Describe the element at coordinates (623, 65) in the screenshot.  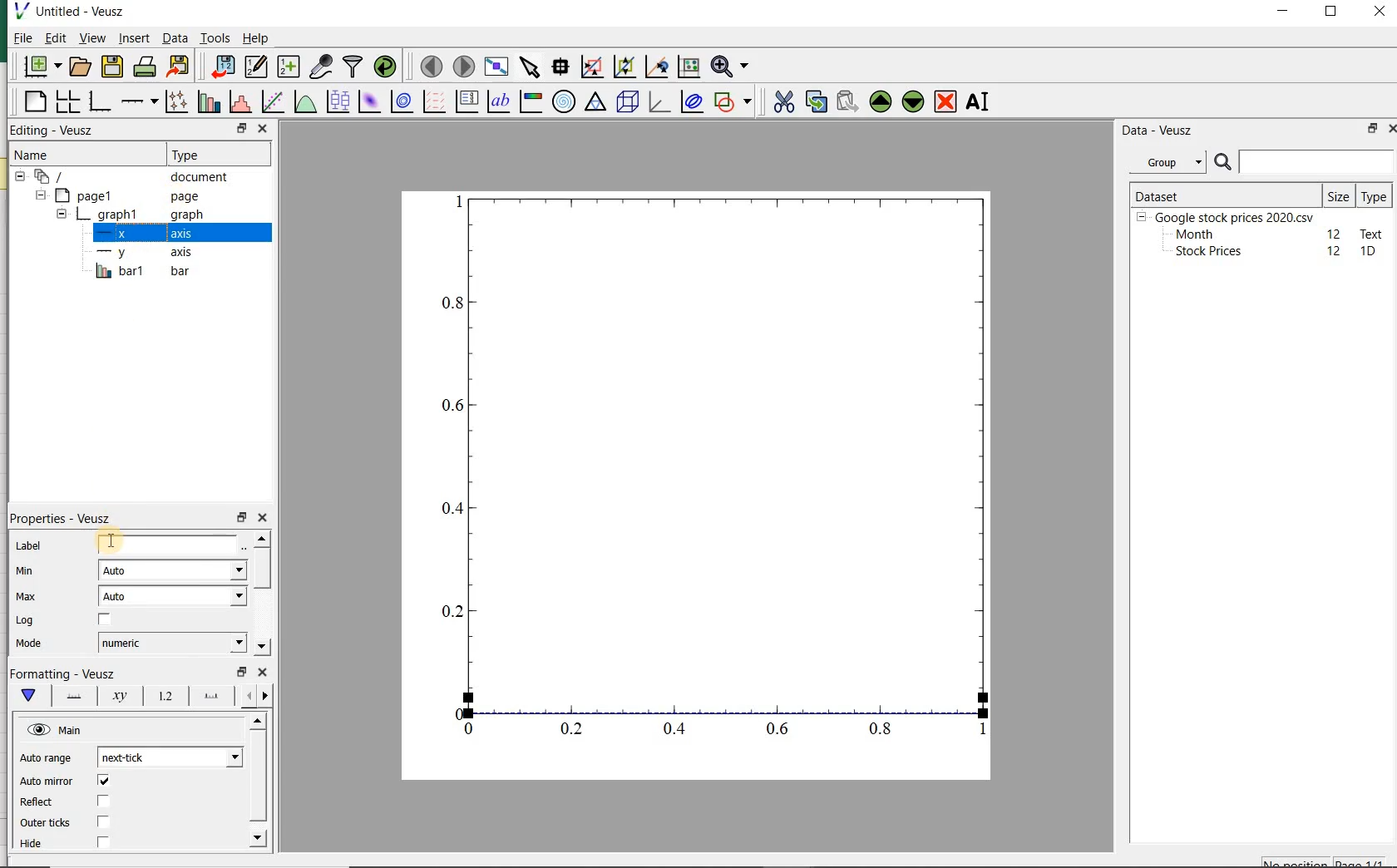
I see `click to zoom out of graph axes` at that location.